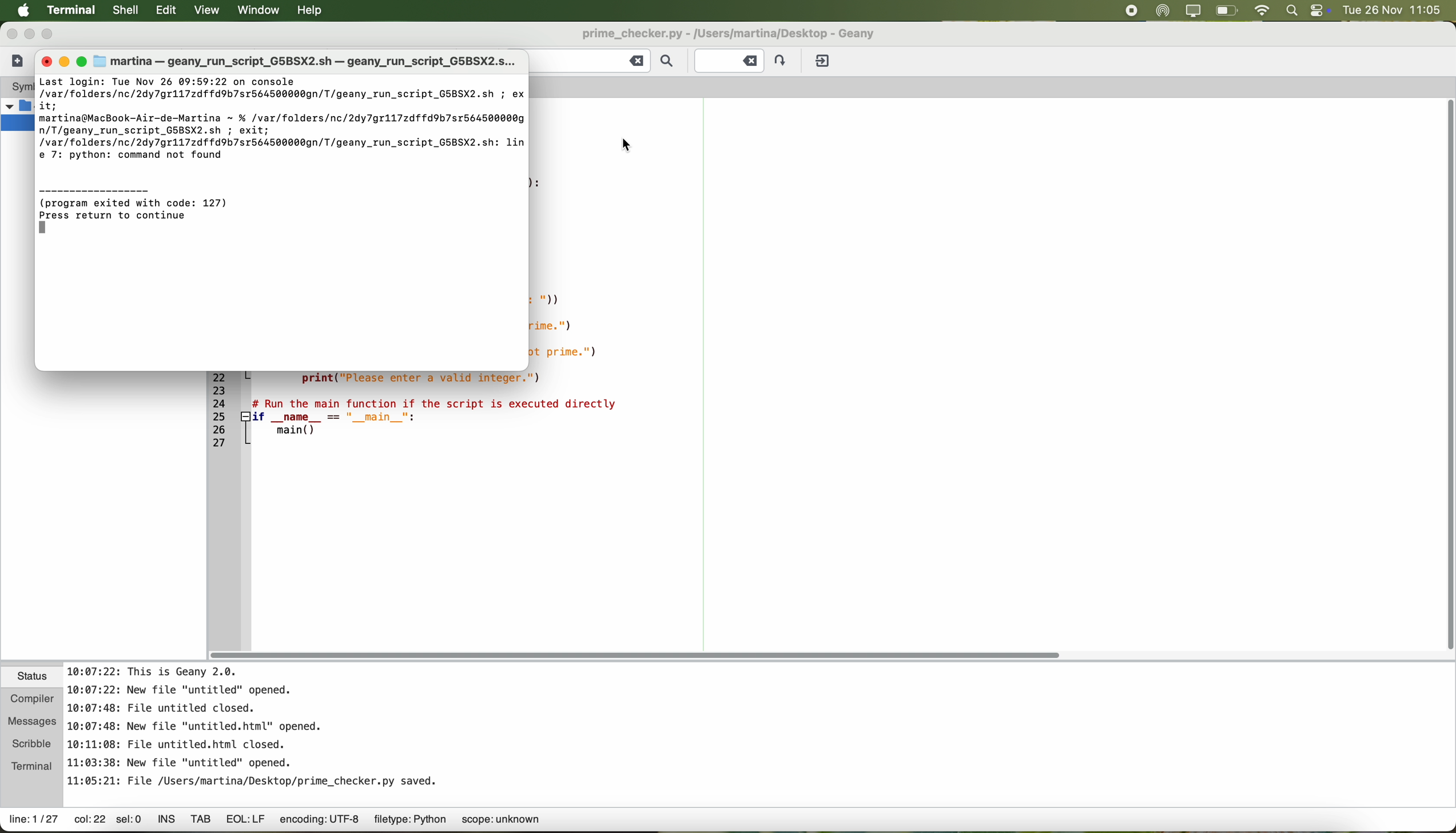 The width and height of the screenshot is (1456, 833). What do you see at coordinates (45, 61) in the screenshot?
I see `close window` at bounding box center [45, 61].